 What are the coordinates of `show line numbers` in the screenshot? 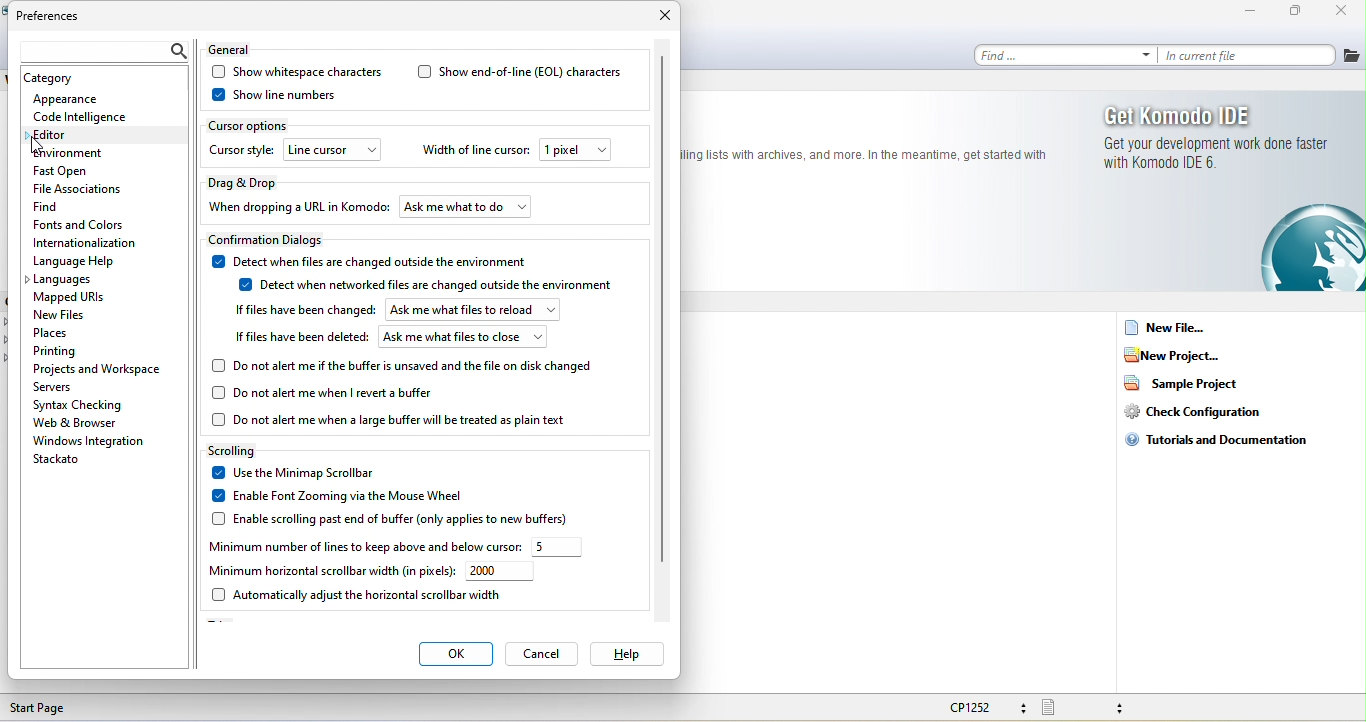 It's located at (273, 95).